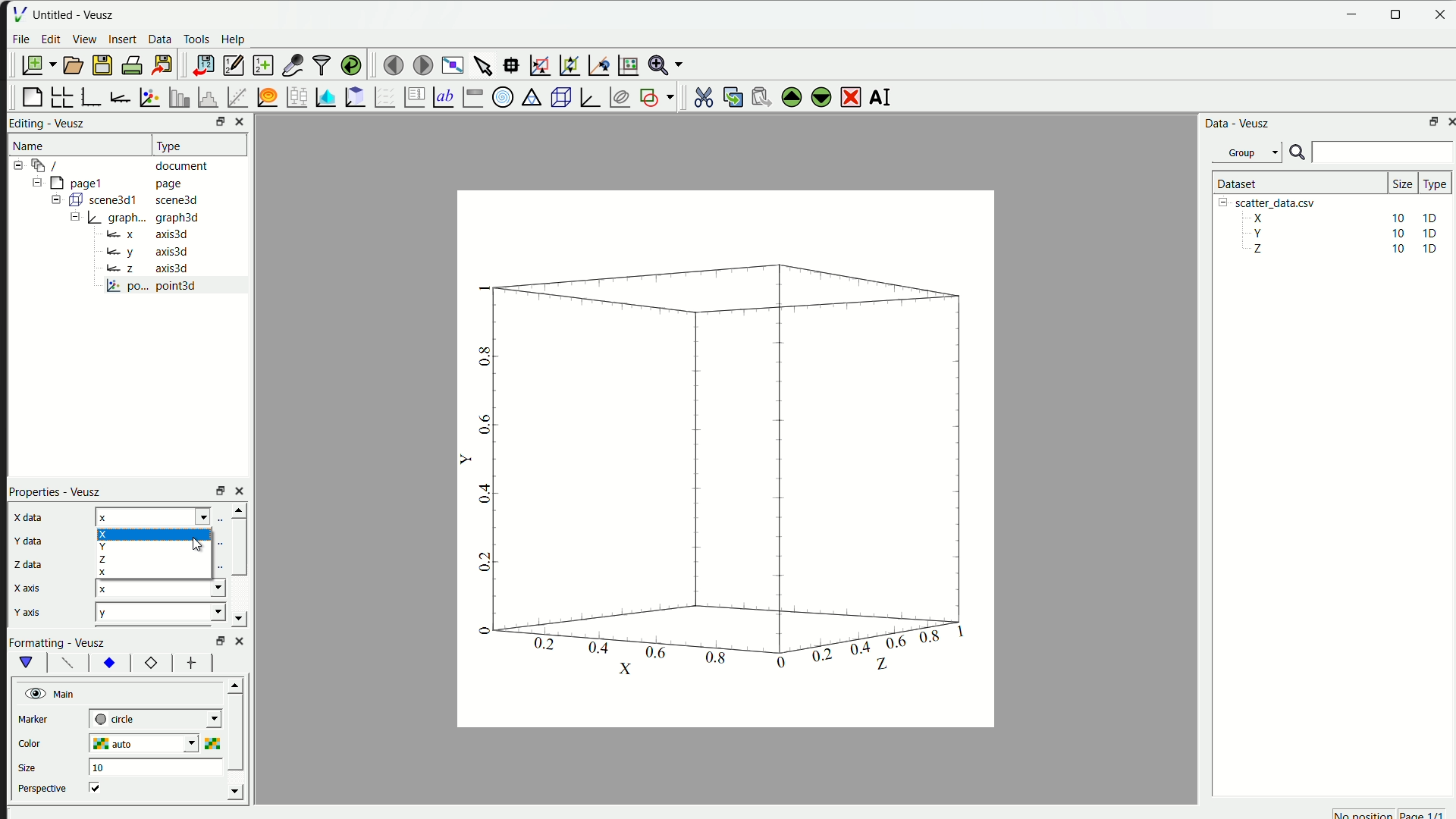  What do you see at coordinates (215, 123) in the screenshot?
I see `resize` at bounding box center [215, 123].